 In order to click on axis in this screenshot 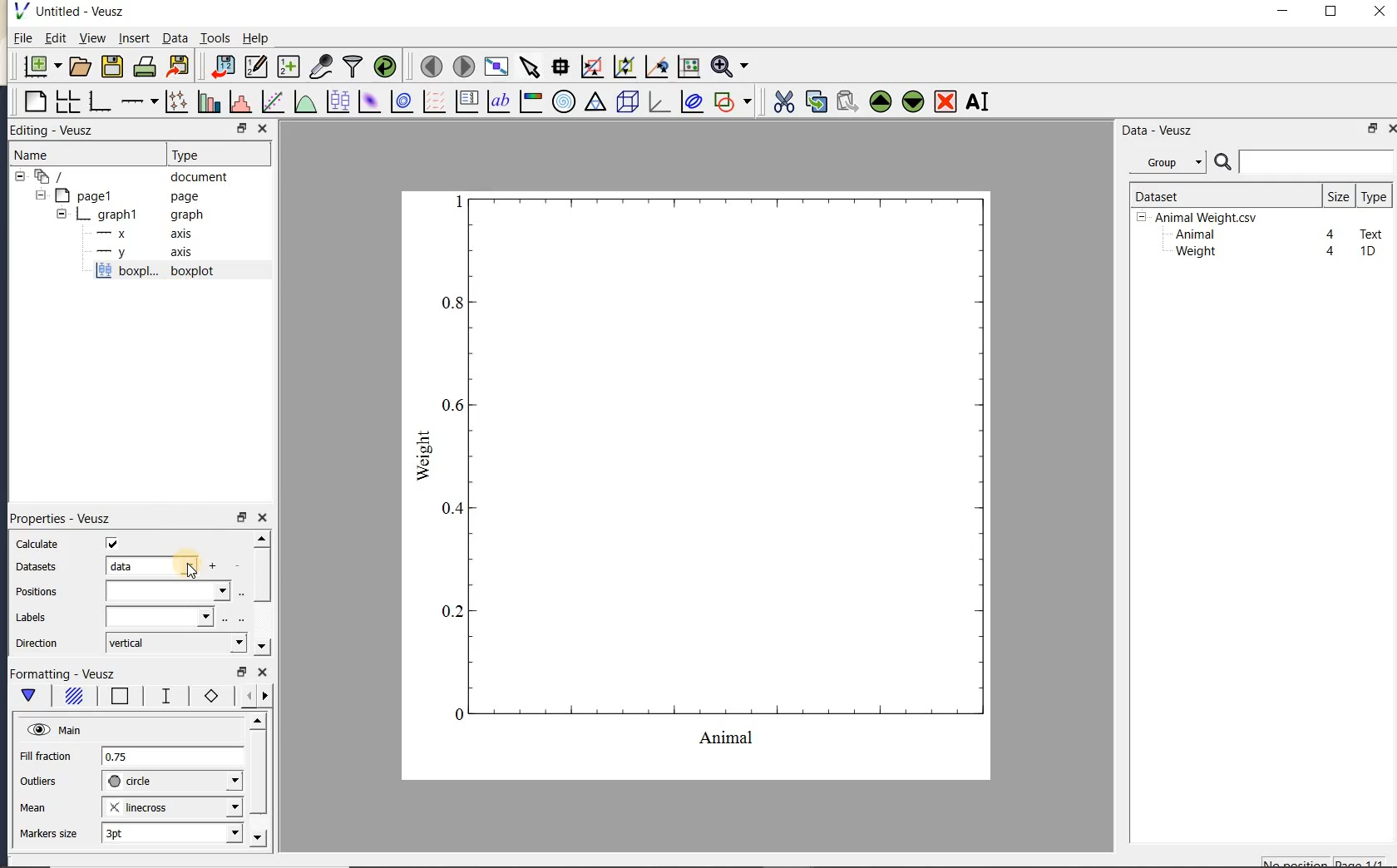, I will do `click(141, 253)`.